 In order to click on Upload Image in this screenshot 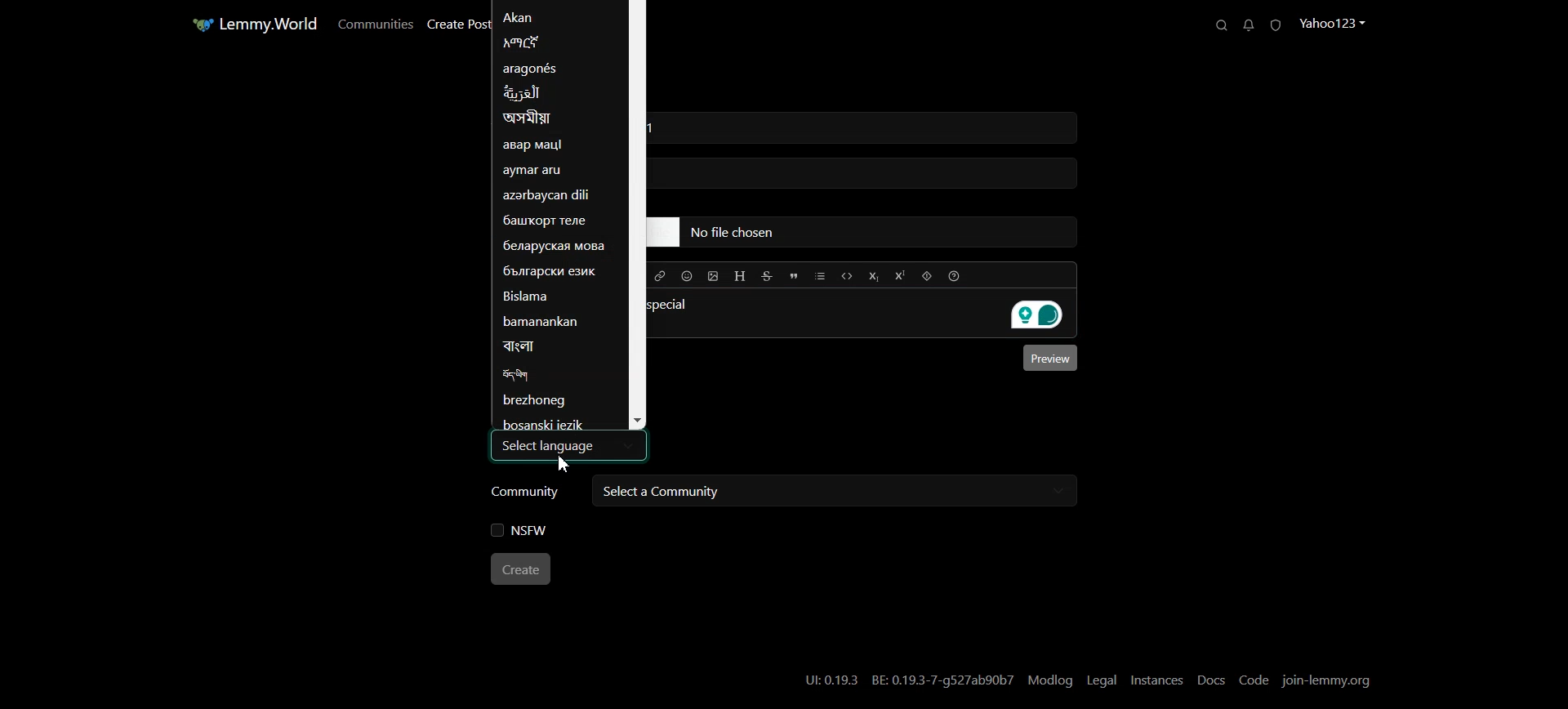, I will do `click(714, 276)`.